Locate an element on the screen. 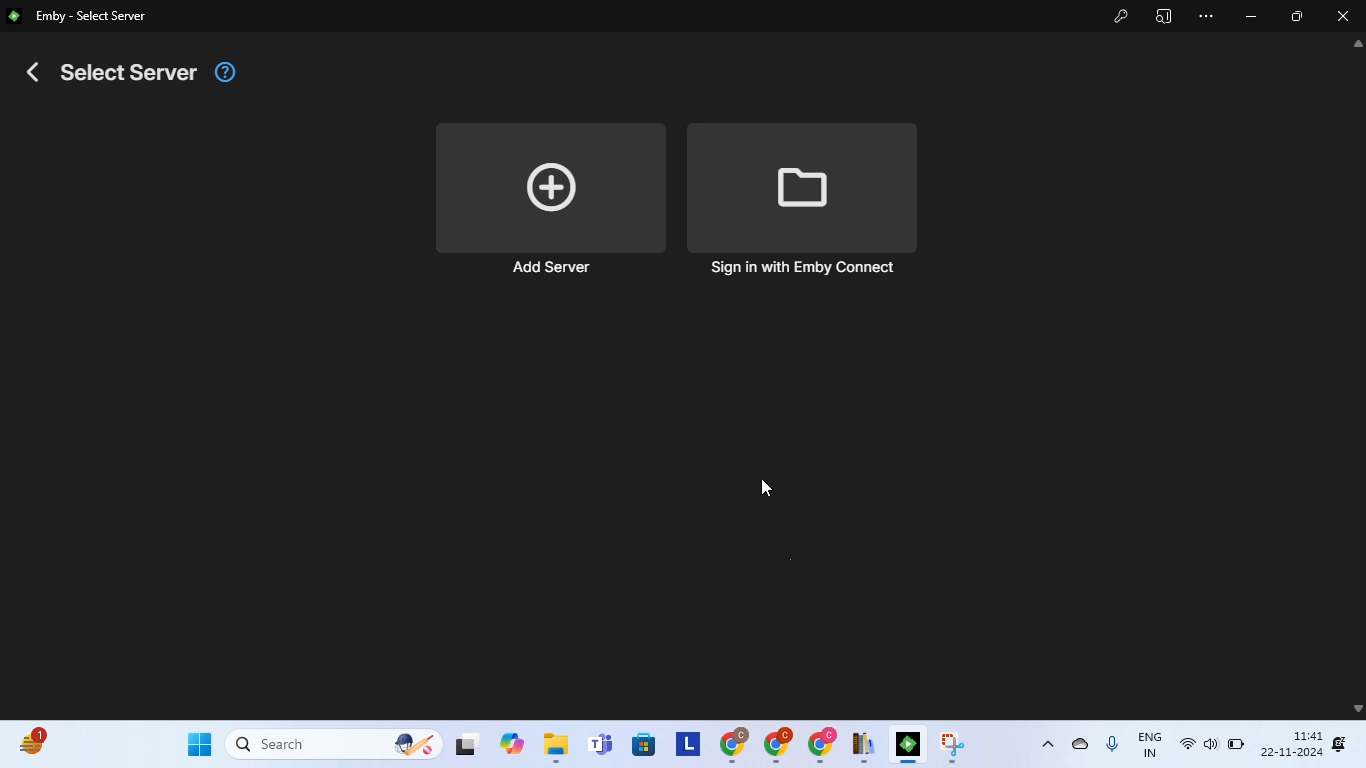  show hidden icons is located at coordinates (1048, 743).